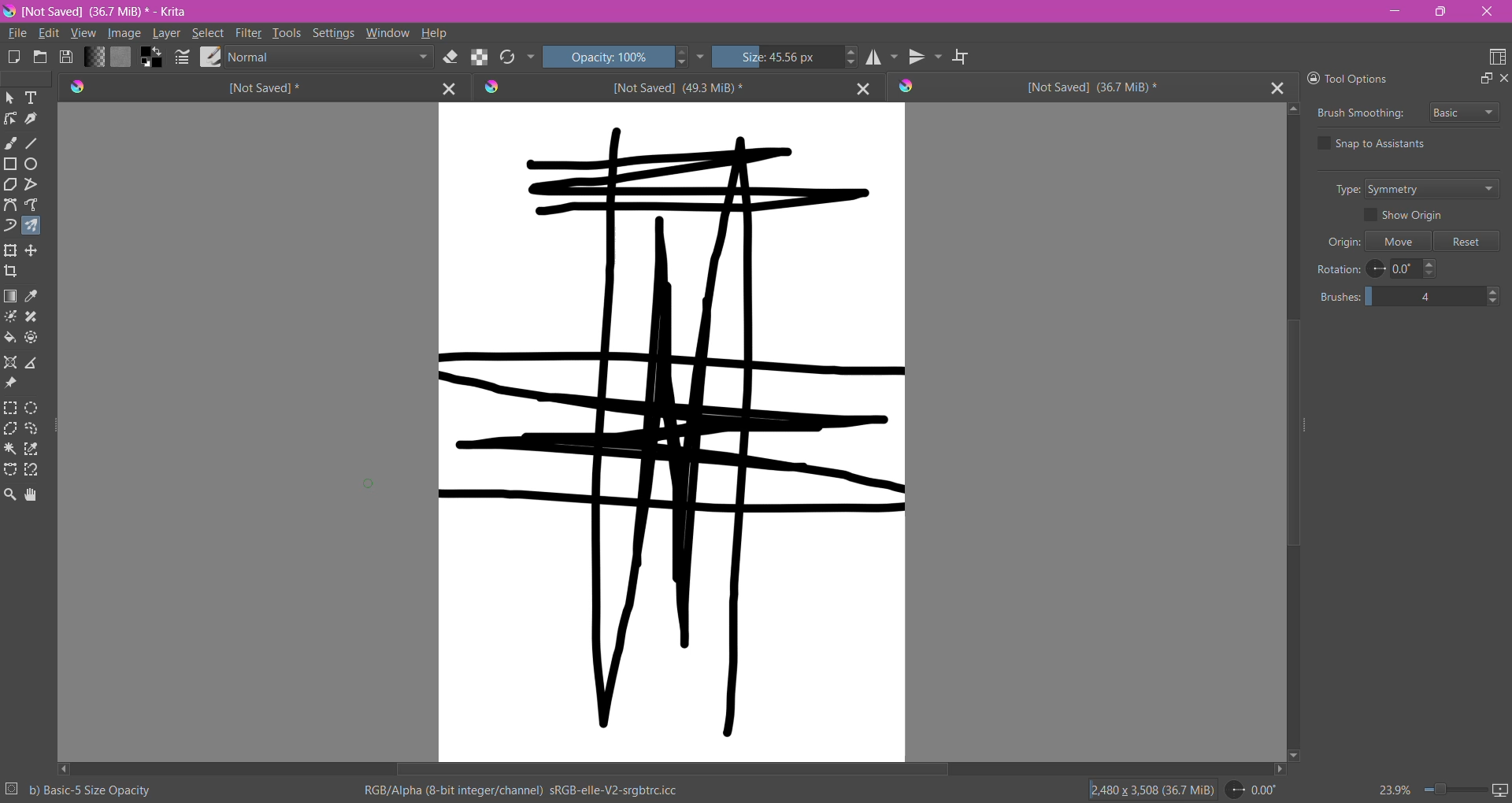 The width and height of the screenshot is (1512, 803). Describe the element at coordinates (10, 224) in the screenshot. I see `Dynamic Brush Tool` at that location.